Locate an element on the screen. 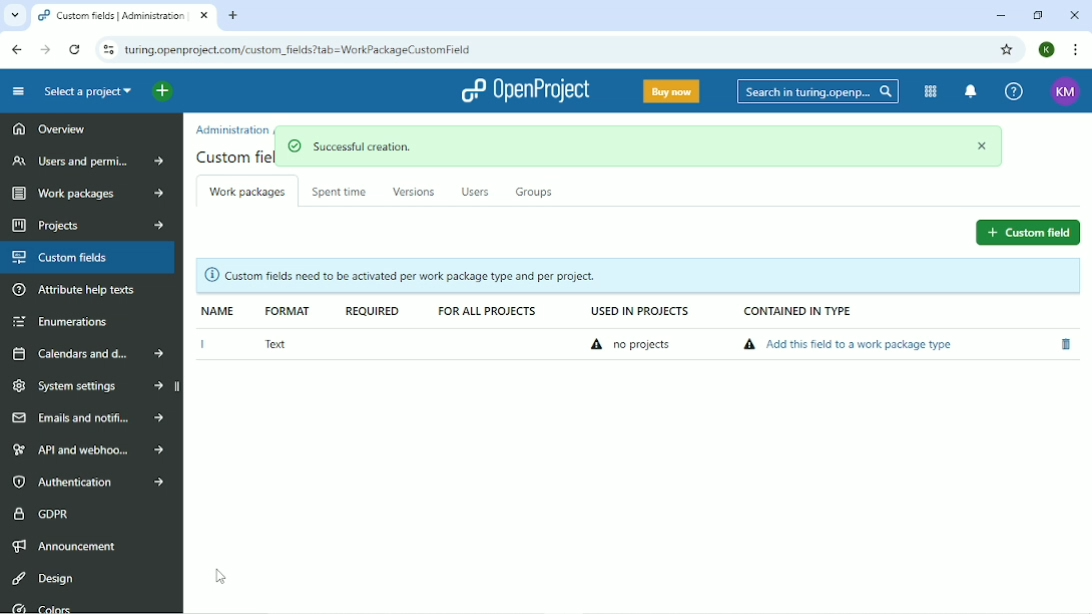  View site information is located at coordinates (107, 50).